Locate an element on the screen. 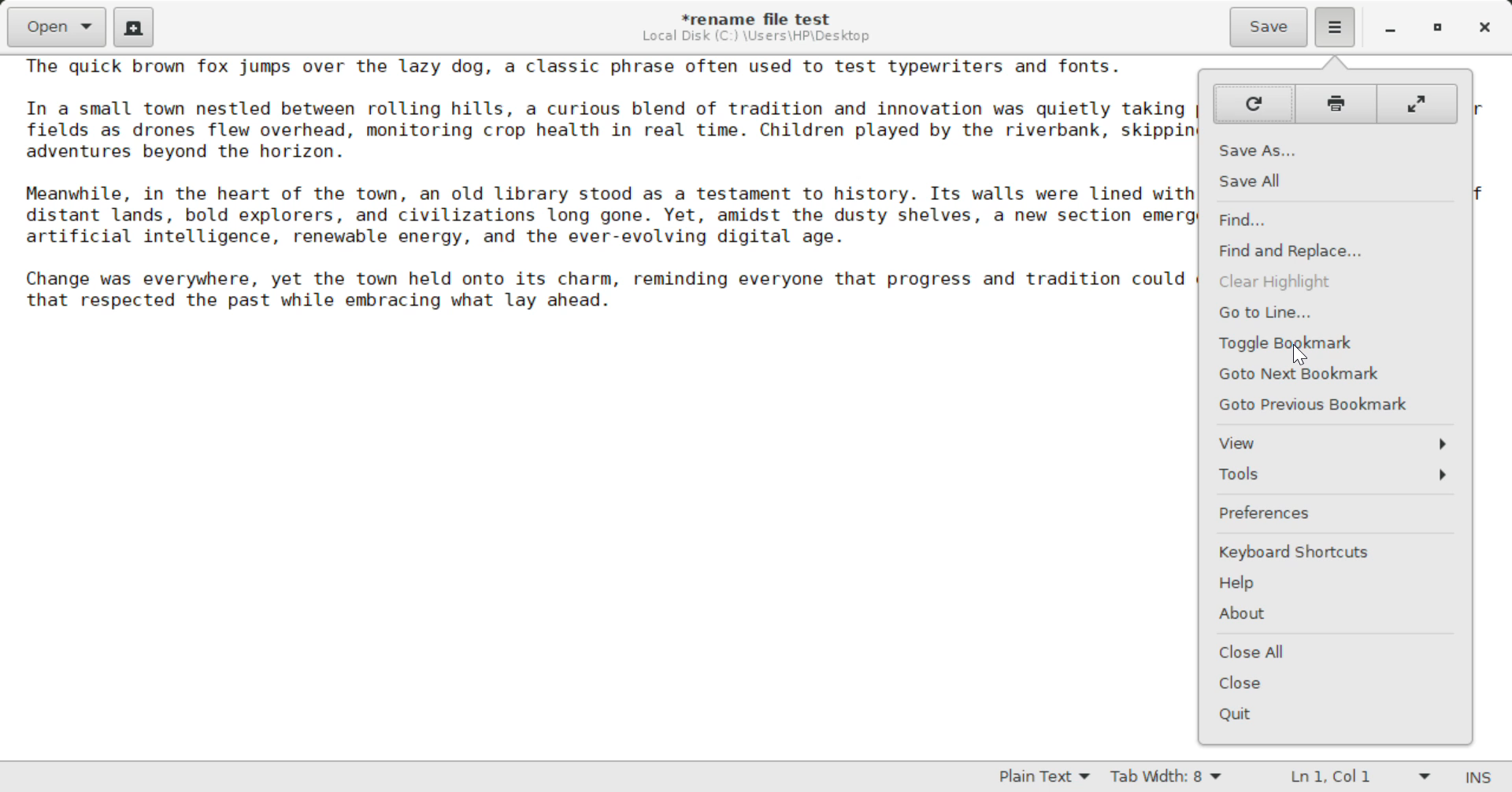 The image size is (1512, 792). The quick brown fox jumps over the lazy dog, a classic phrase often used to test typewriters and fonts.In a small town nestled between rolling hills, a curious blend of tradition and innovation was quietly taking place. Farmers tended theirfields as drones flew overhead, monitoring crop health in real time. Children played by the riverbank, skipping stones and dreaming ofadventures beyond the horizon.Meanwhile, in the heart of the town, an old library stood as a testament to history. Its walls were lined with books that told stories ofdistant lands, bold explorers, and civilizations long gone. Yet, amidst the dusty shelves, a new section emerged: one dedicated toartificial intelligence, renewable energy, and the ever-evolving digital age.Change was everywhere, yet the town held onto its charm, reminding everyone that progress and tradition could coexist, shaping a futurethat respected the past while embracing what lay ahead. is located at coordinates (606, 199).